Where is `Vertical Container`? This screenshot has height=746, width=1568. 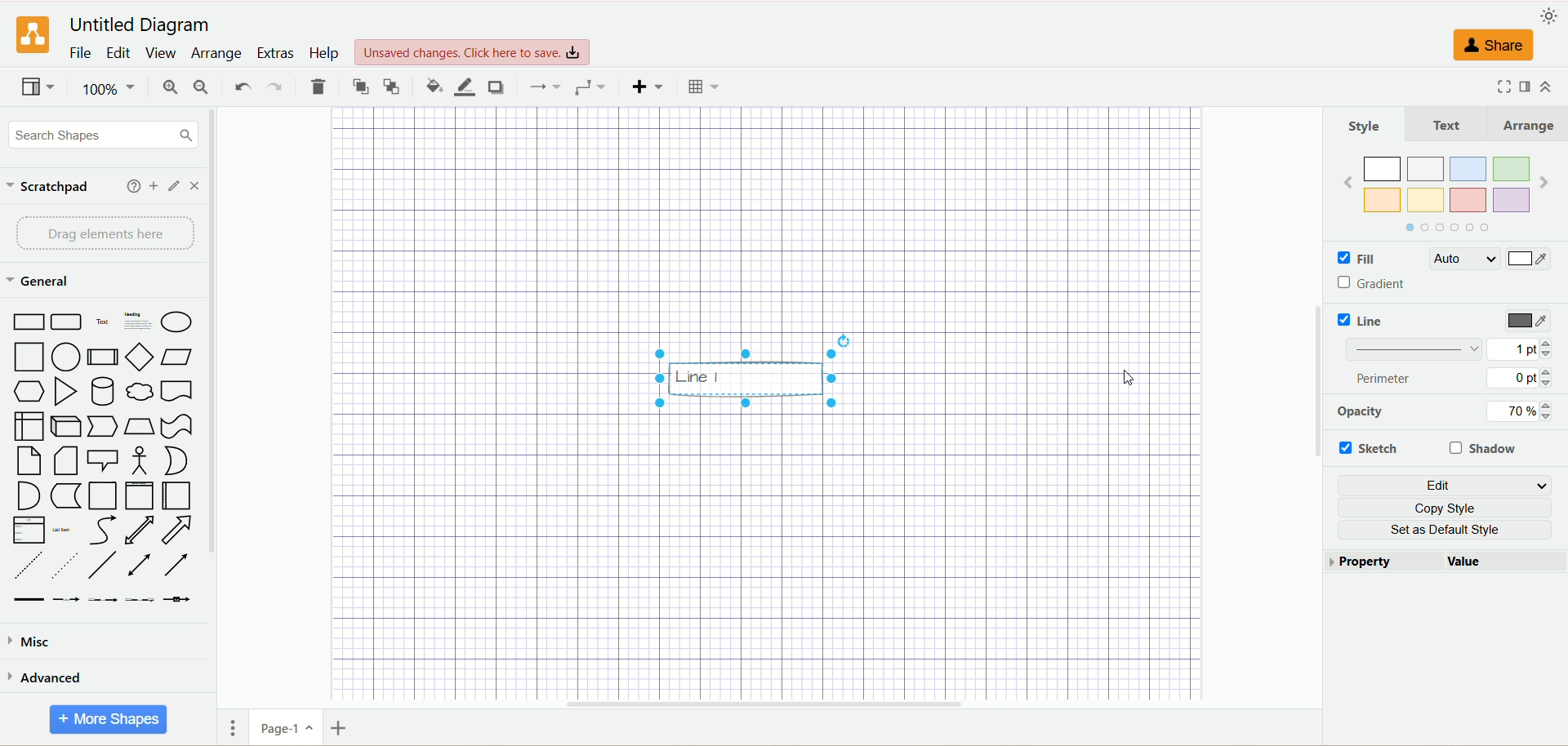
Vertical Container is located at coordinates (140, 496).